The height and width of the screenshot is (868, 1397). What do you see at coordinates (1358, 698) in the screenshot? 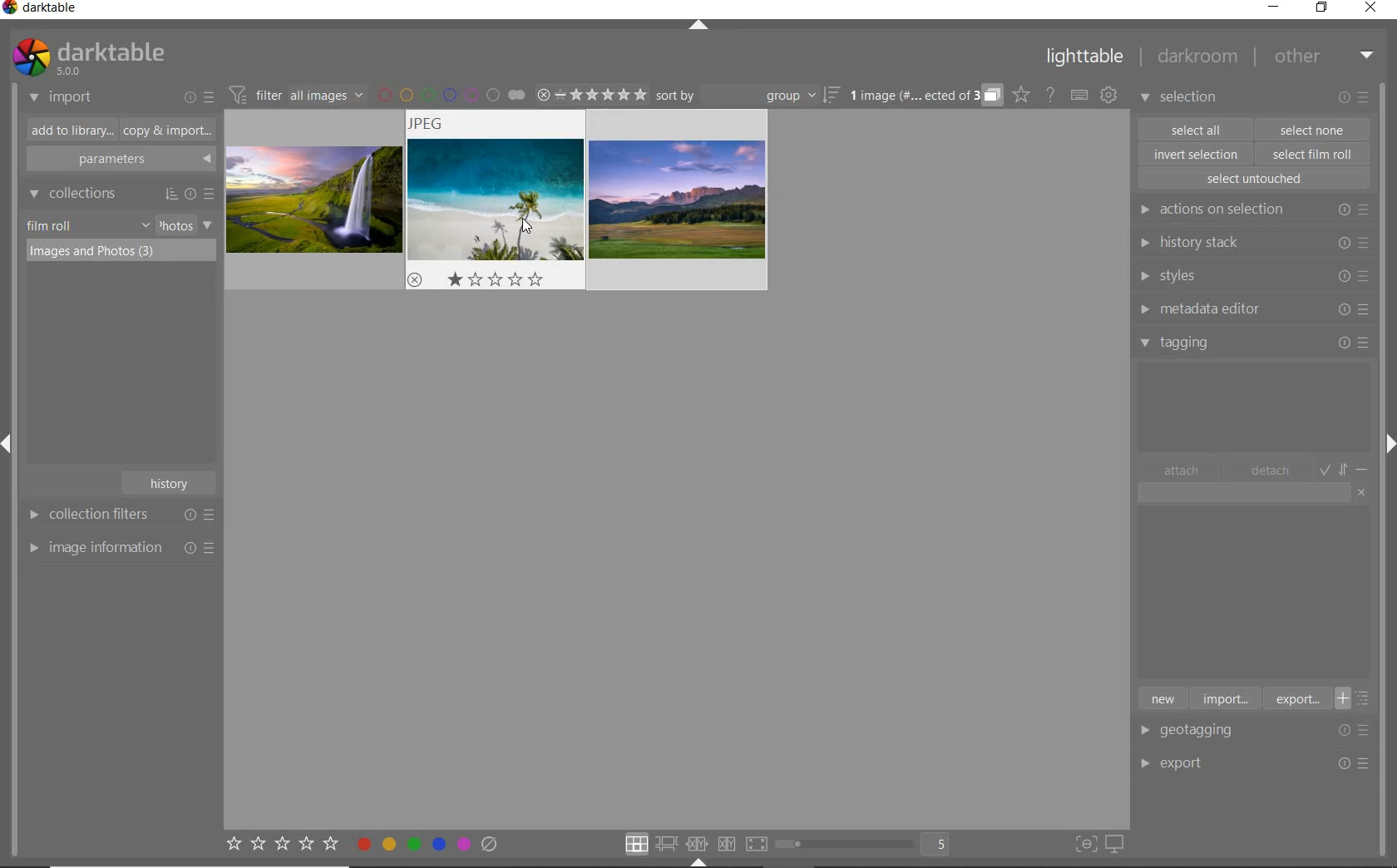
I see `toggle list` at bounding box center [1358, 698].